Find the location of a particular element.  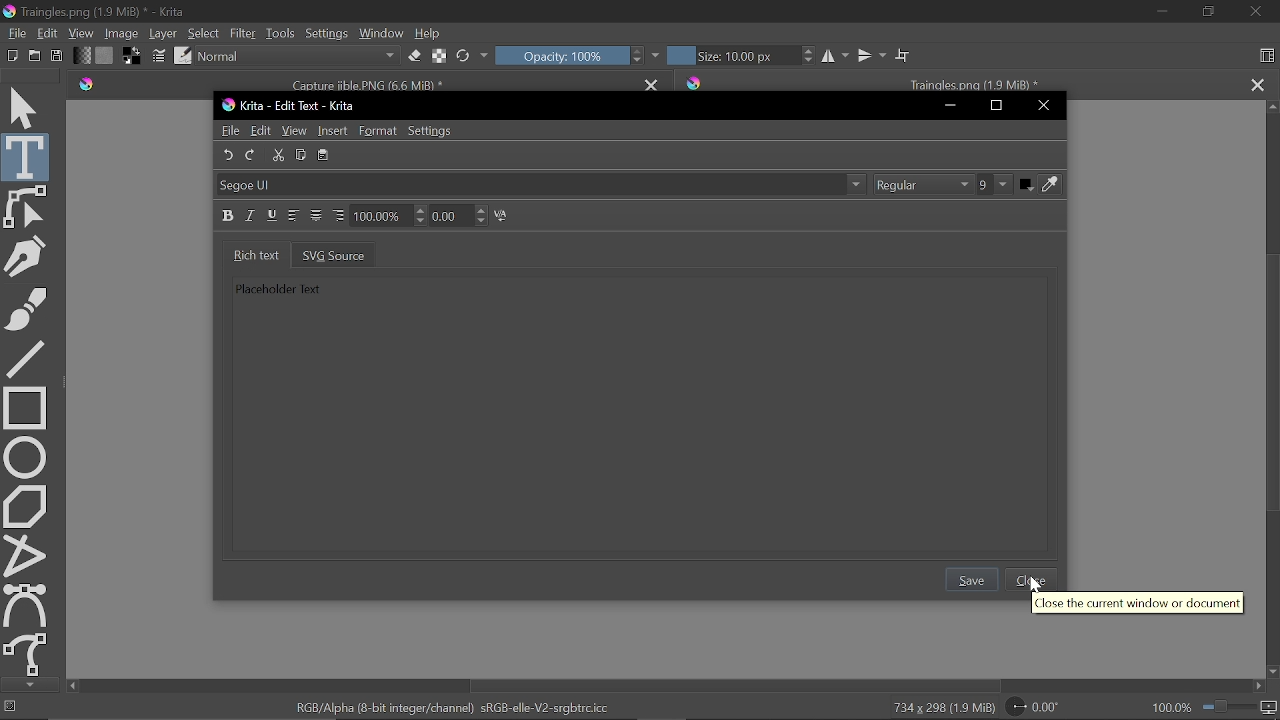

Choose workspace is located at coordinates (1266, 56).